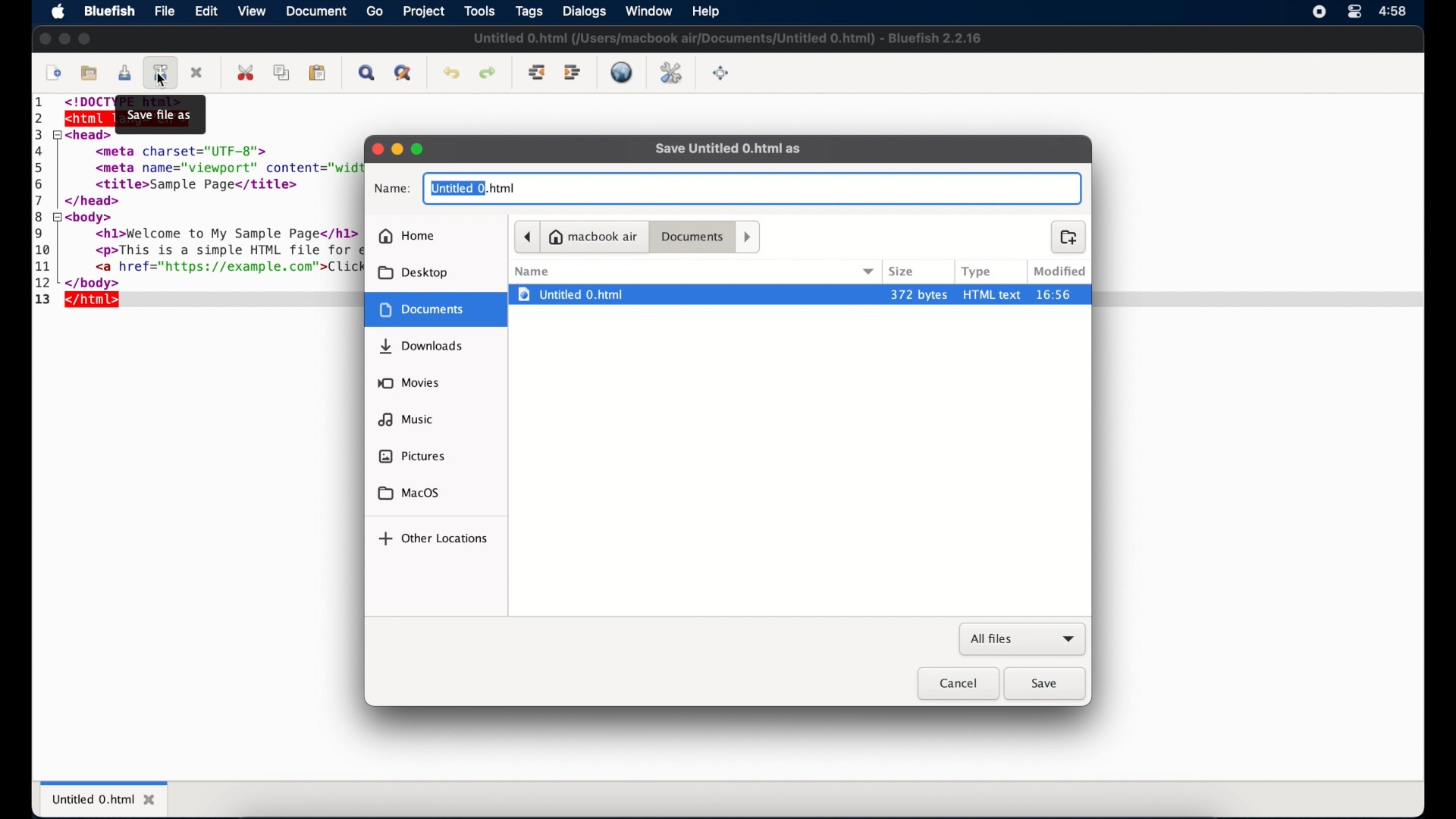 This screenshot has height=819, width=1456. What do you see at coordinates (94, 301) in the screenshot?
I see `</html>` at bounding box center [94, 301].